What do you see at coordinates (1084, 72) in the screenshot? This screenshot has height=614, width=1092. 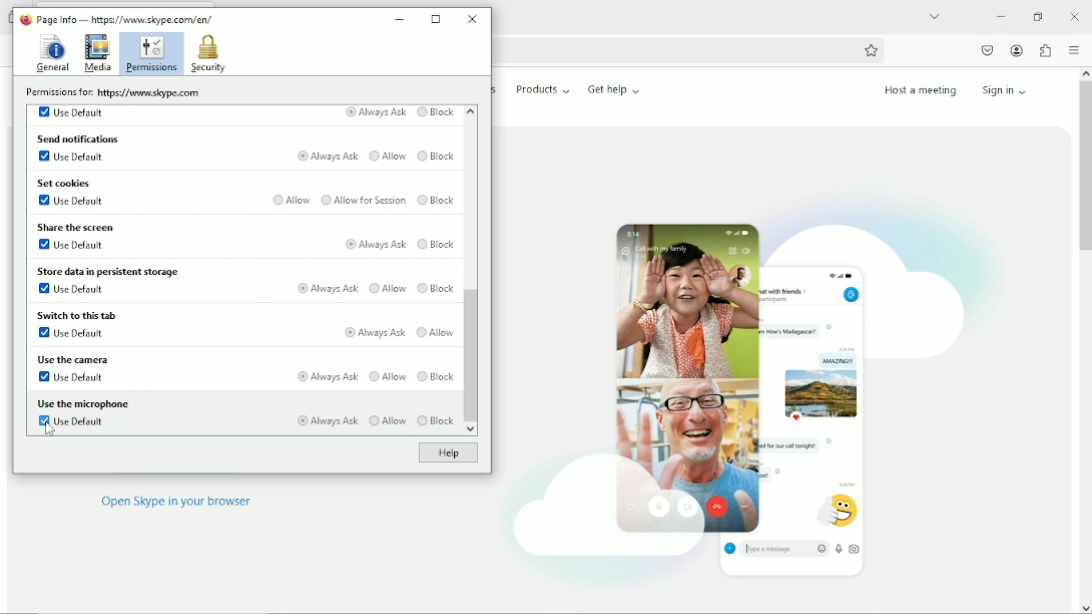 I see `scroll up` at bounding box center [1084, 72].